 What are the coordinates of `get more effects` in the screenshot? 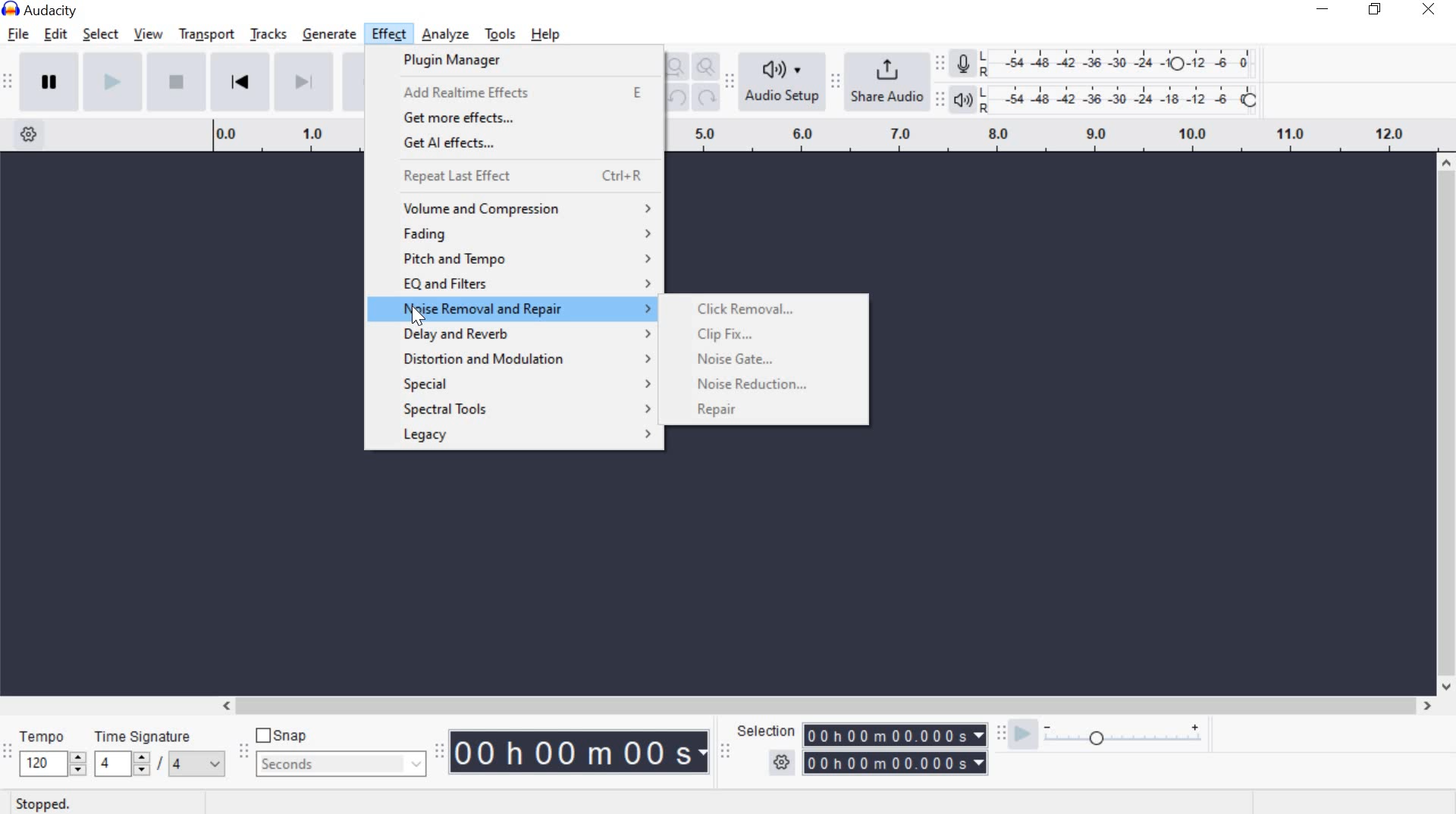 It's located at (469, 117).